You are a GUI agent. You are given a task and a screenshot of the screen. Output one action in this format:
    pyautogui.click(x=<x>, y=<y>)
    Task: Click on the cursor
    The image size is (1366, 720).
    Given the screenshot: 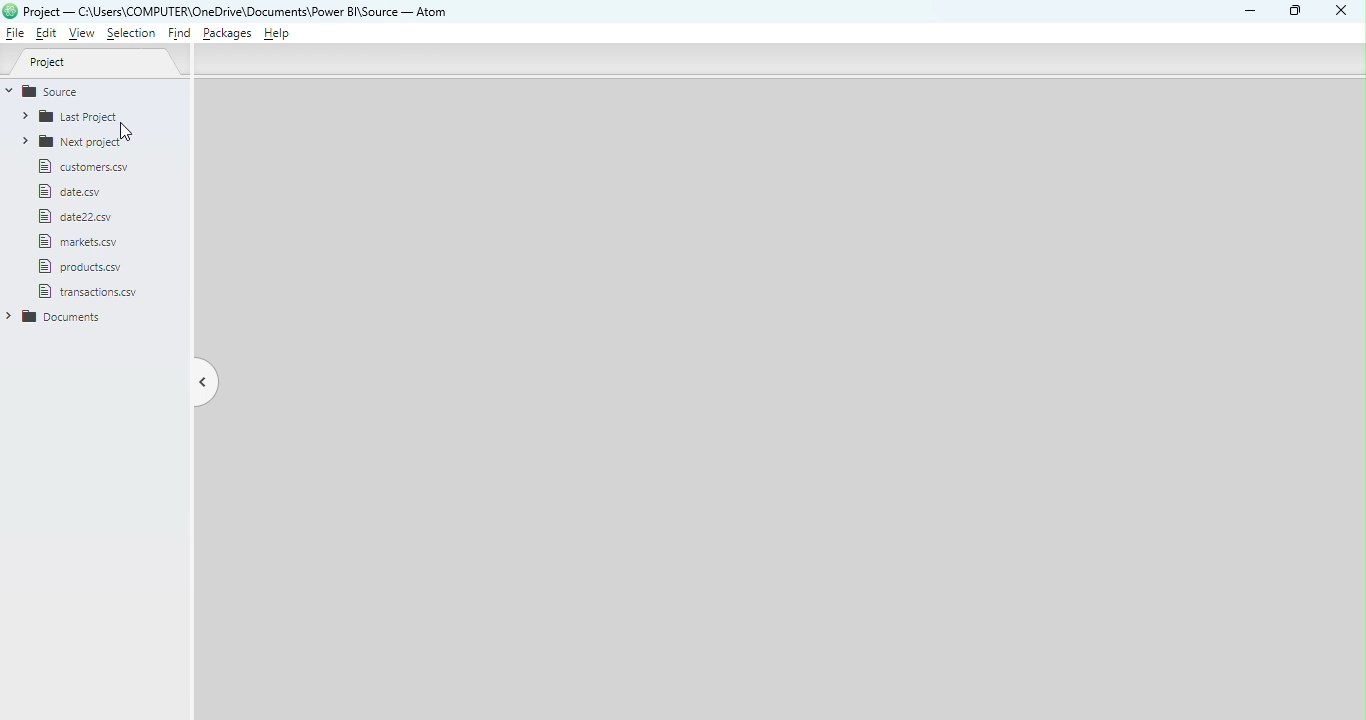 What is the action you would take?
    pyautogui.click(x=121, y=131)
    